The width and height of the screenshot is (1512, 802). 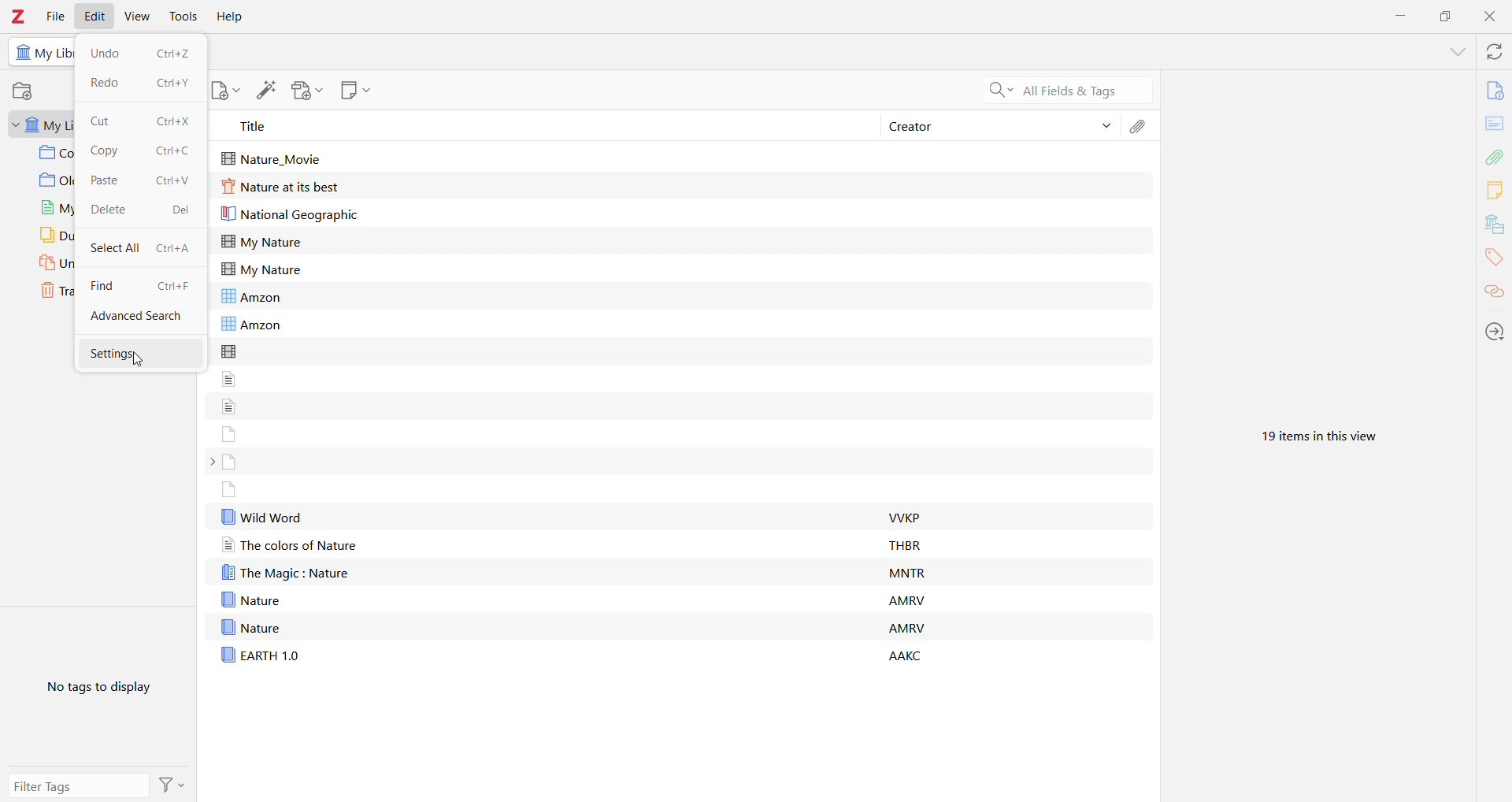 What do you see at coordinates (174, 287) in the screenshot?
I see `Ctrl+F` at bounding box center [174, 287].